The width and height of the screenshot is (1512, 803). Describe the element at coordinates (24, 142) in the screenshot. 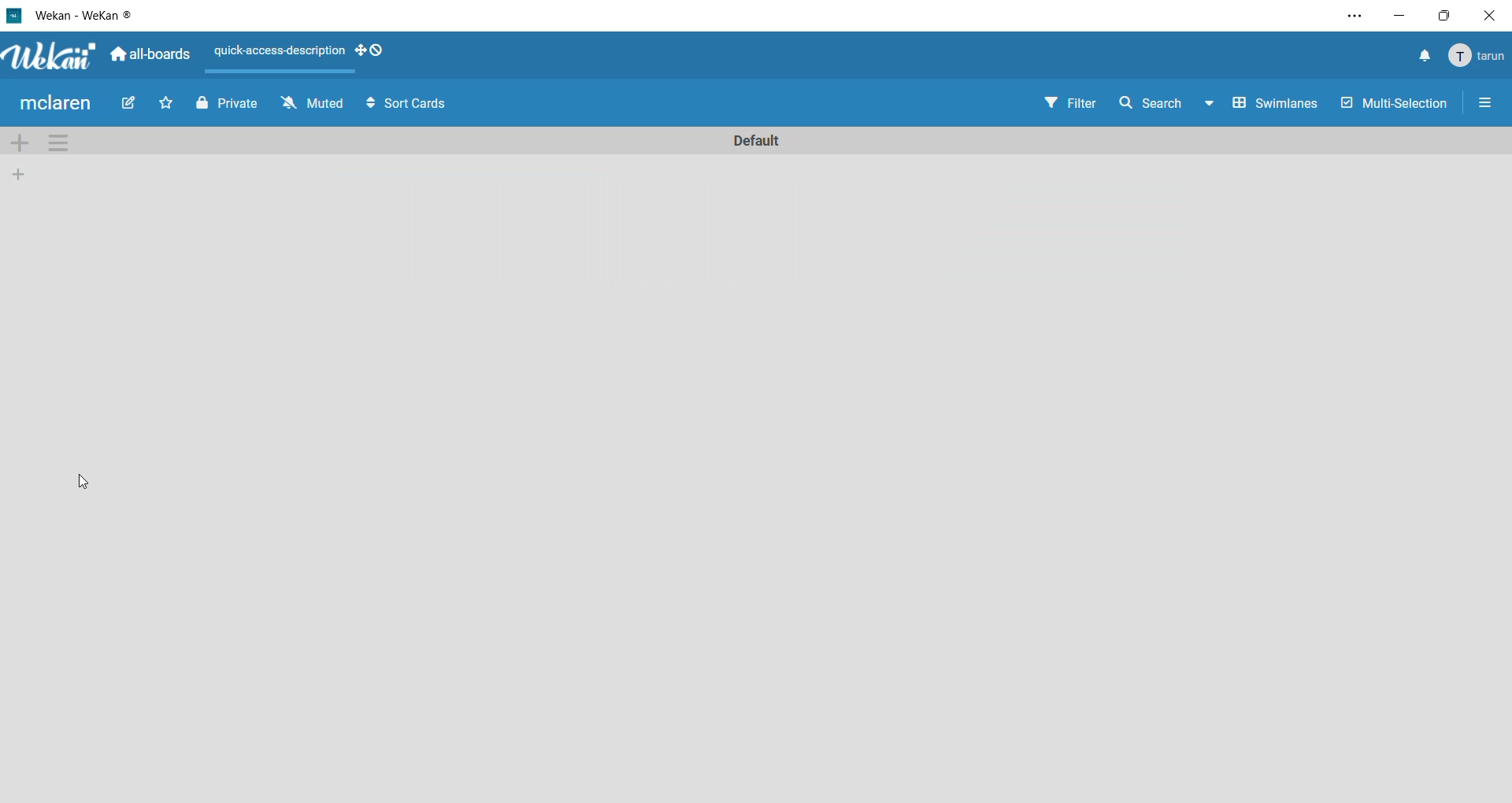

I see `add swimlane` at that location.